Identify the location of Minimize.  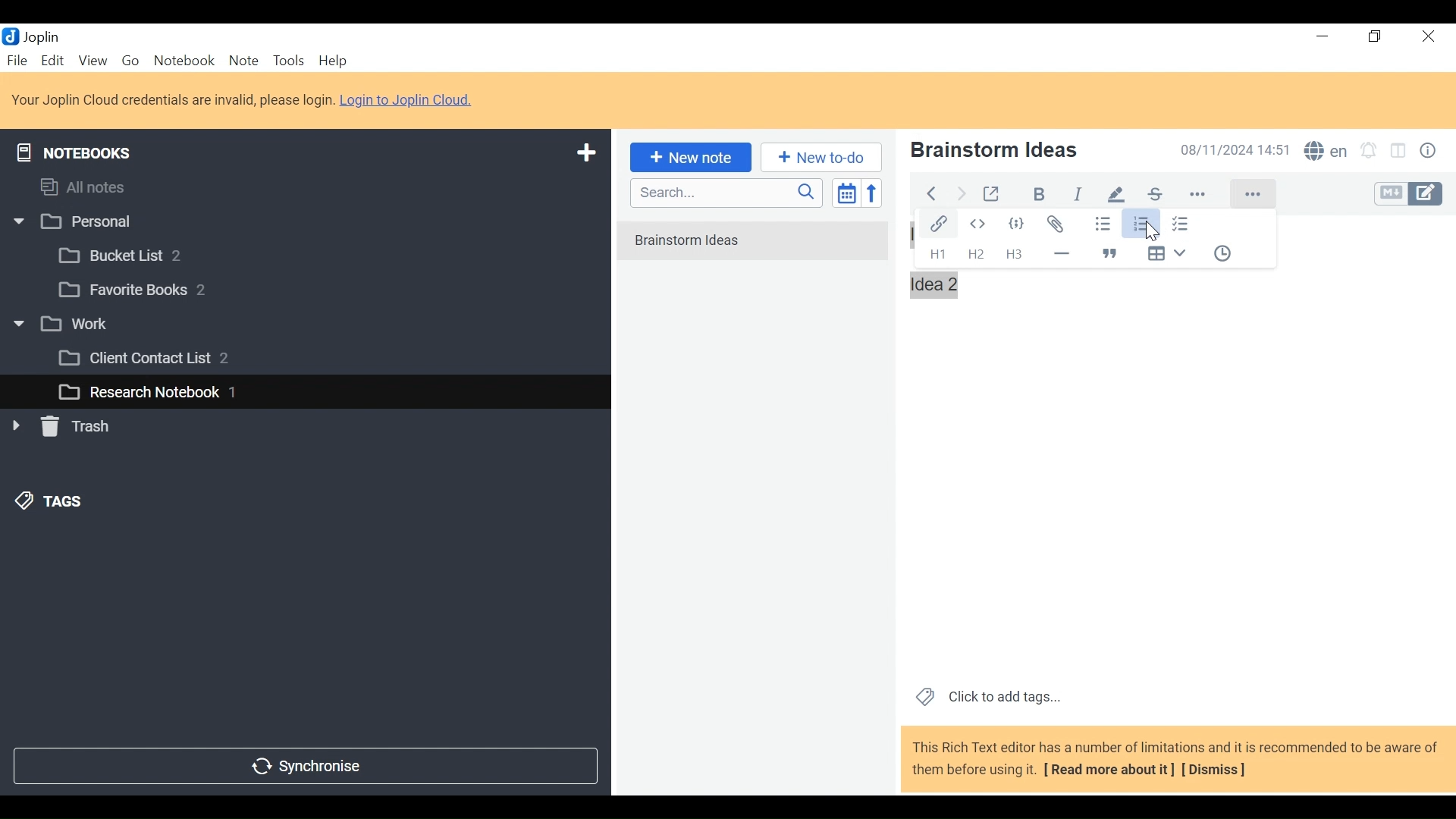
(1321, 36).